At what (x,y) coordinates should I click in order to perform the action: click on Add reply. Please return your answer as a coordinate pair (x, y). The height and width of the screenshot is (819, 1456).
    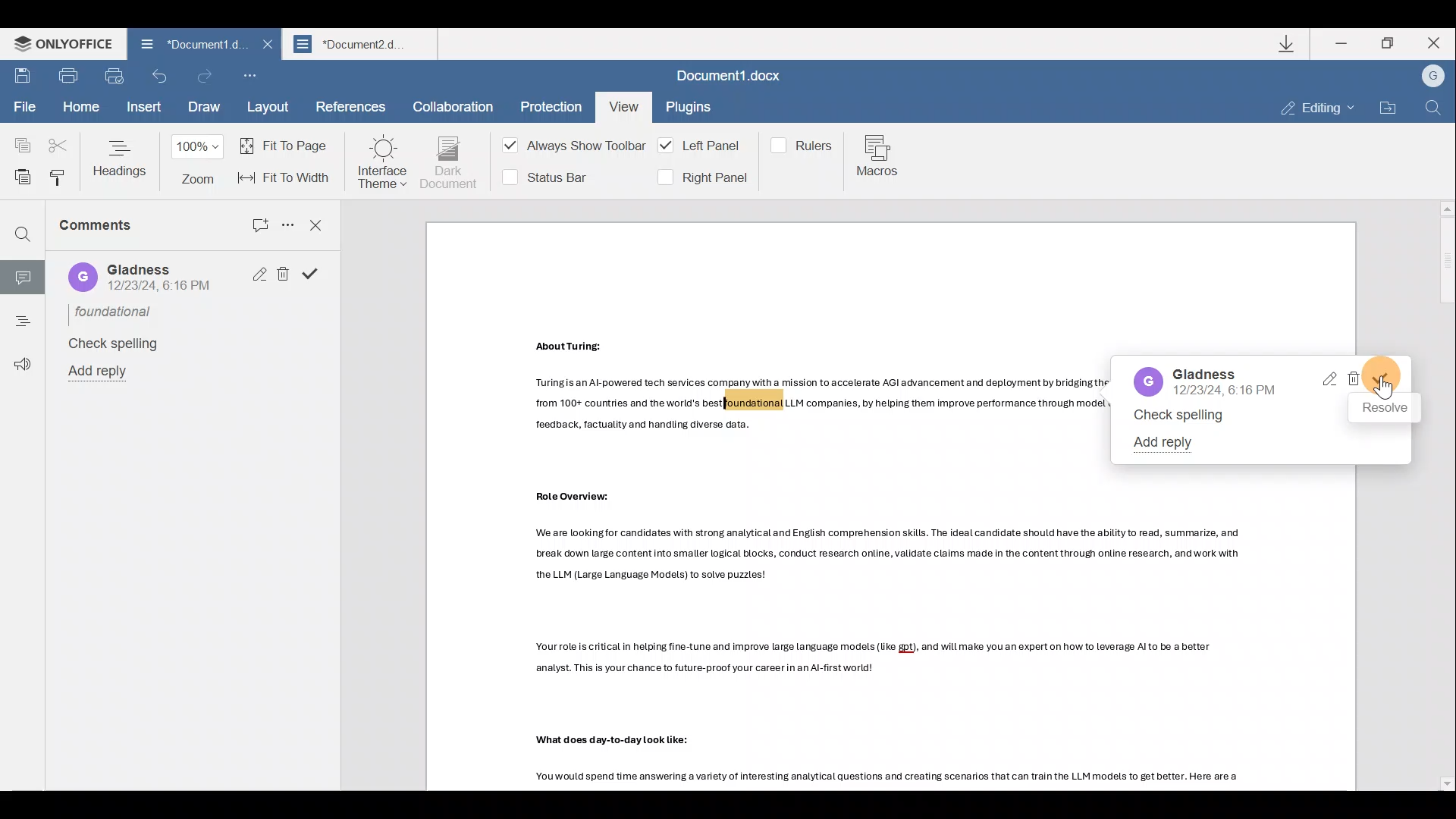
    Looking at the image, I should click on (1168, 441).